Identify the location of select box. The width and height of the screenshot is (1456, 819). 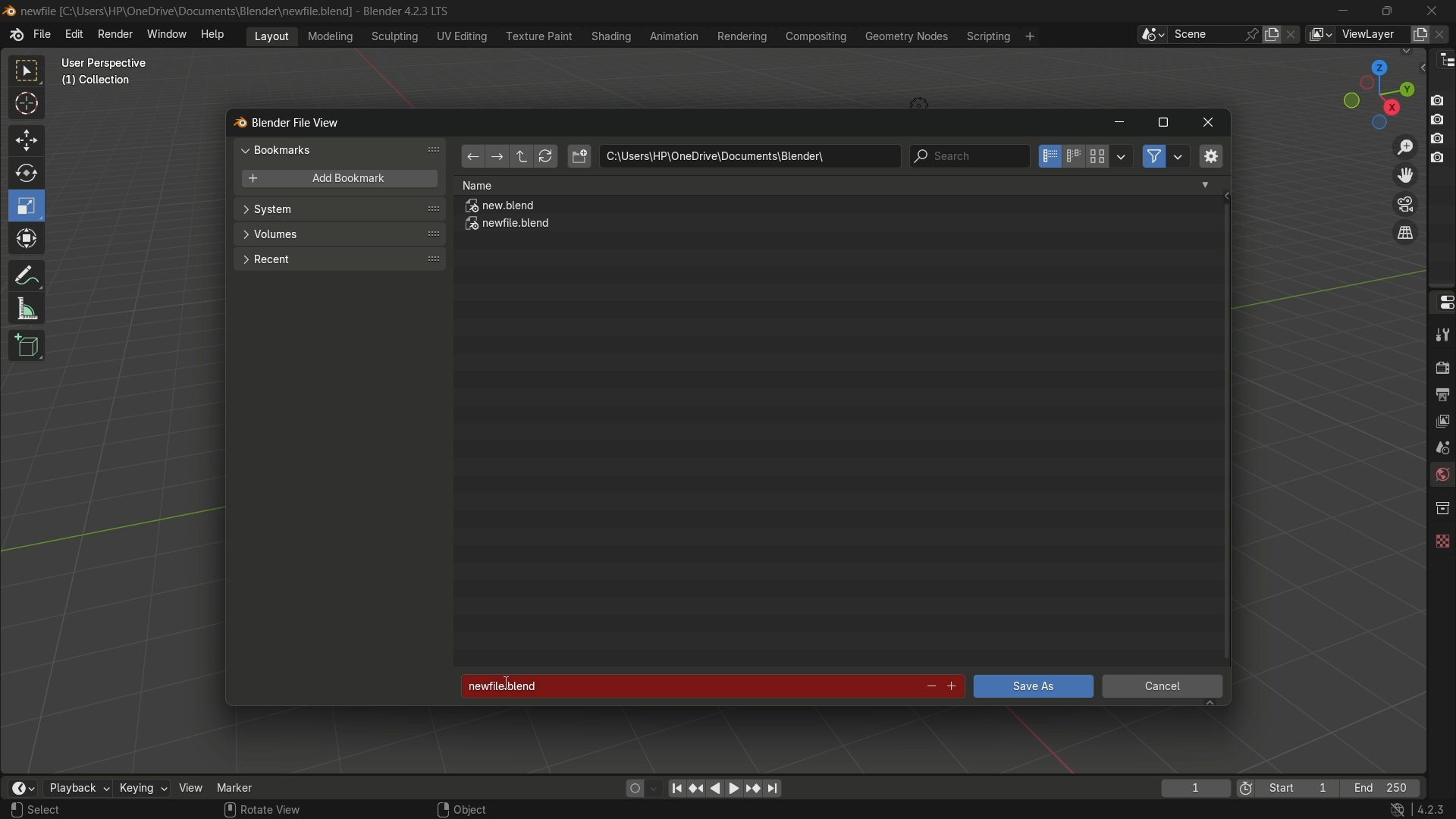
(28, 71).